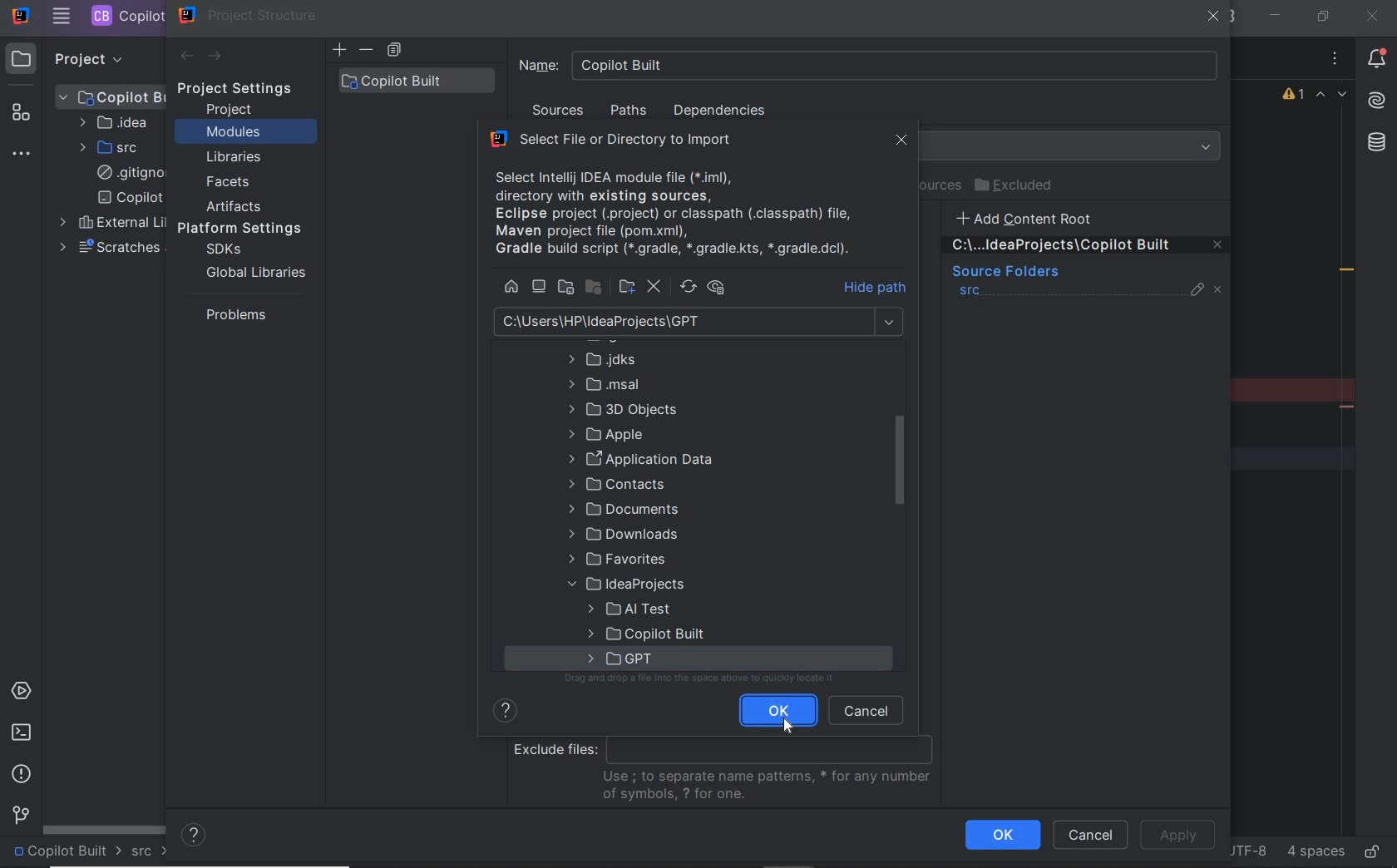 The image size is (1397, 868). What do you see at coordinates (21, 732) in the screenshot?
I see `terminal` at bounding box center [21, 732].